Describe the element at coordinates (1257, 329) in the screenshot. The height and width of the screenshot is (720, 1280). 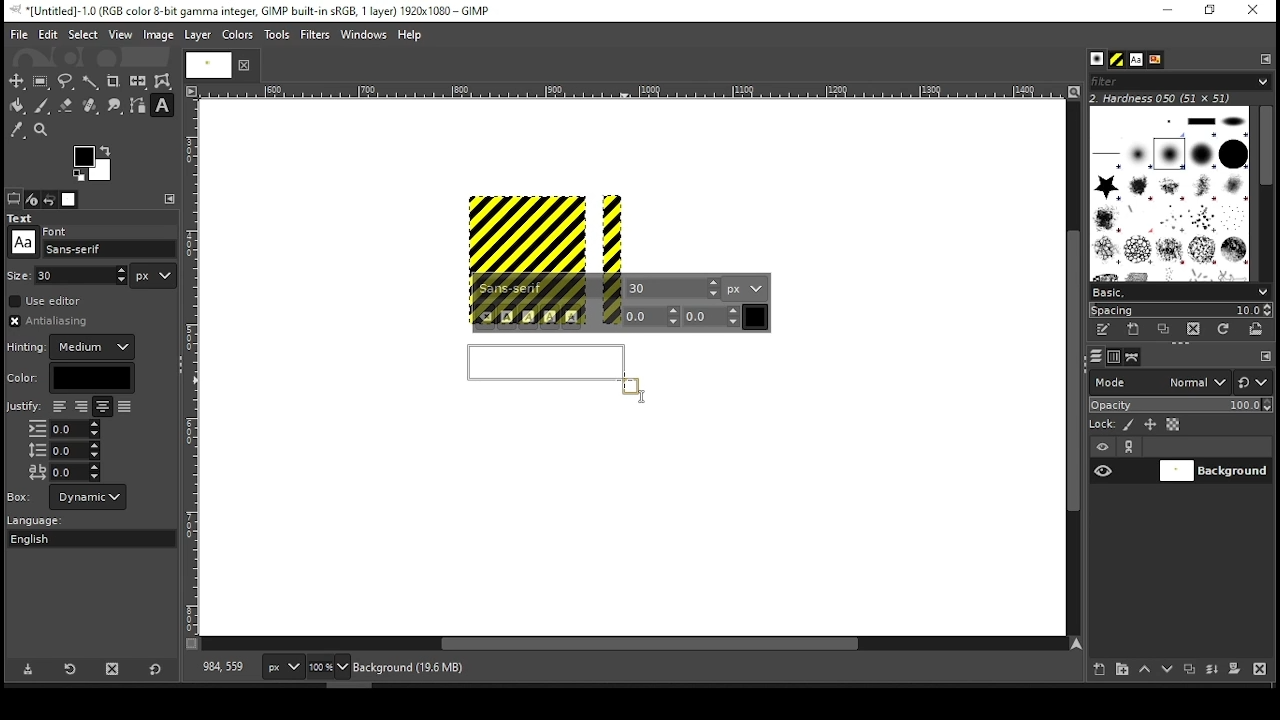
I see `open brush as image` at that location.